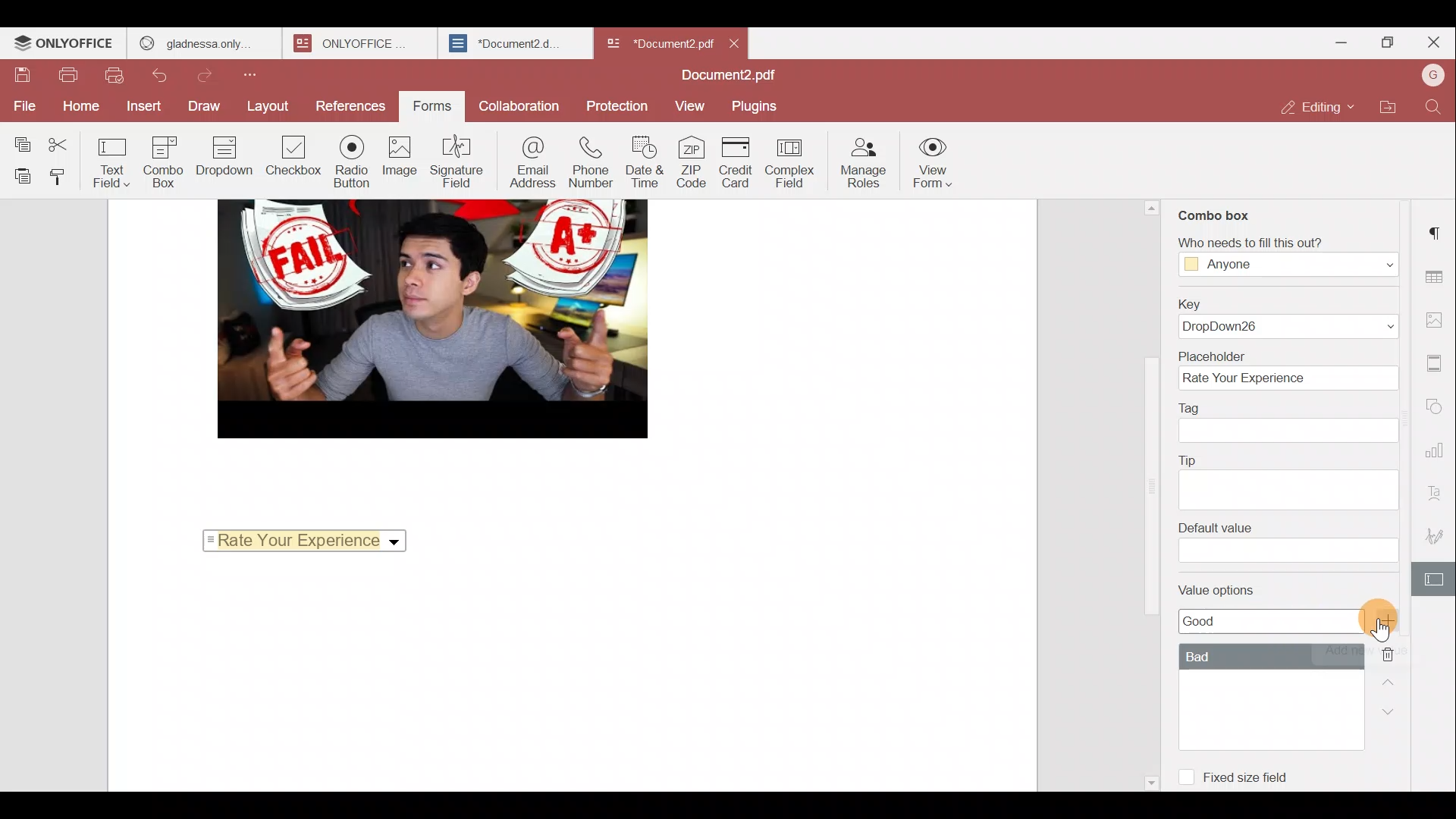 The height and width of the screenshot is (819, 1456). I want to click on Plugins, so click(757, 106).